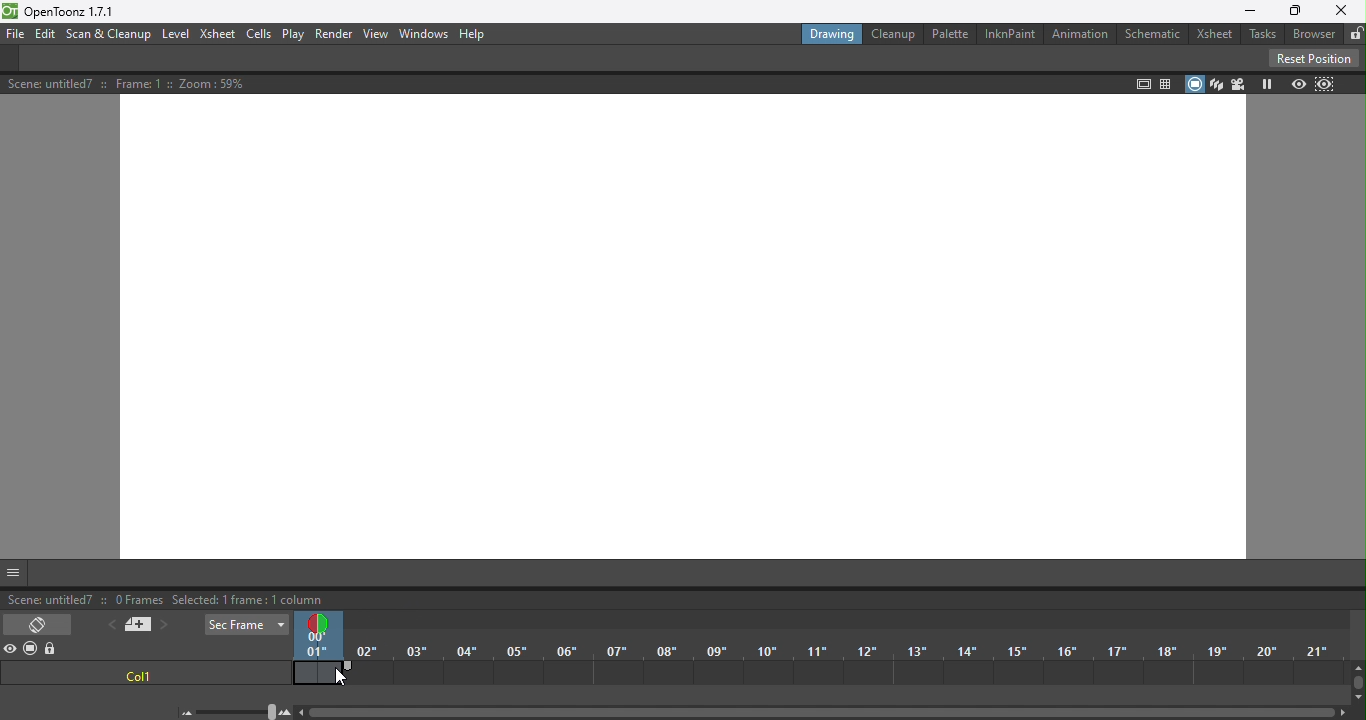 This screenshot has height=720, width=1366. What do you see at coordinates (218, 36) in the screenshot?
I see `Xsheet` at bounding box center [218, 36].